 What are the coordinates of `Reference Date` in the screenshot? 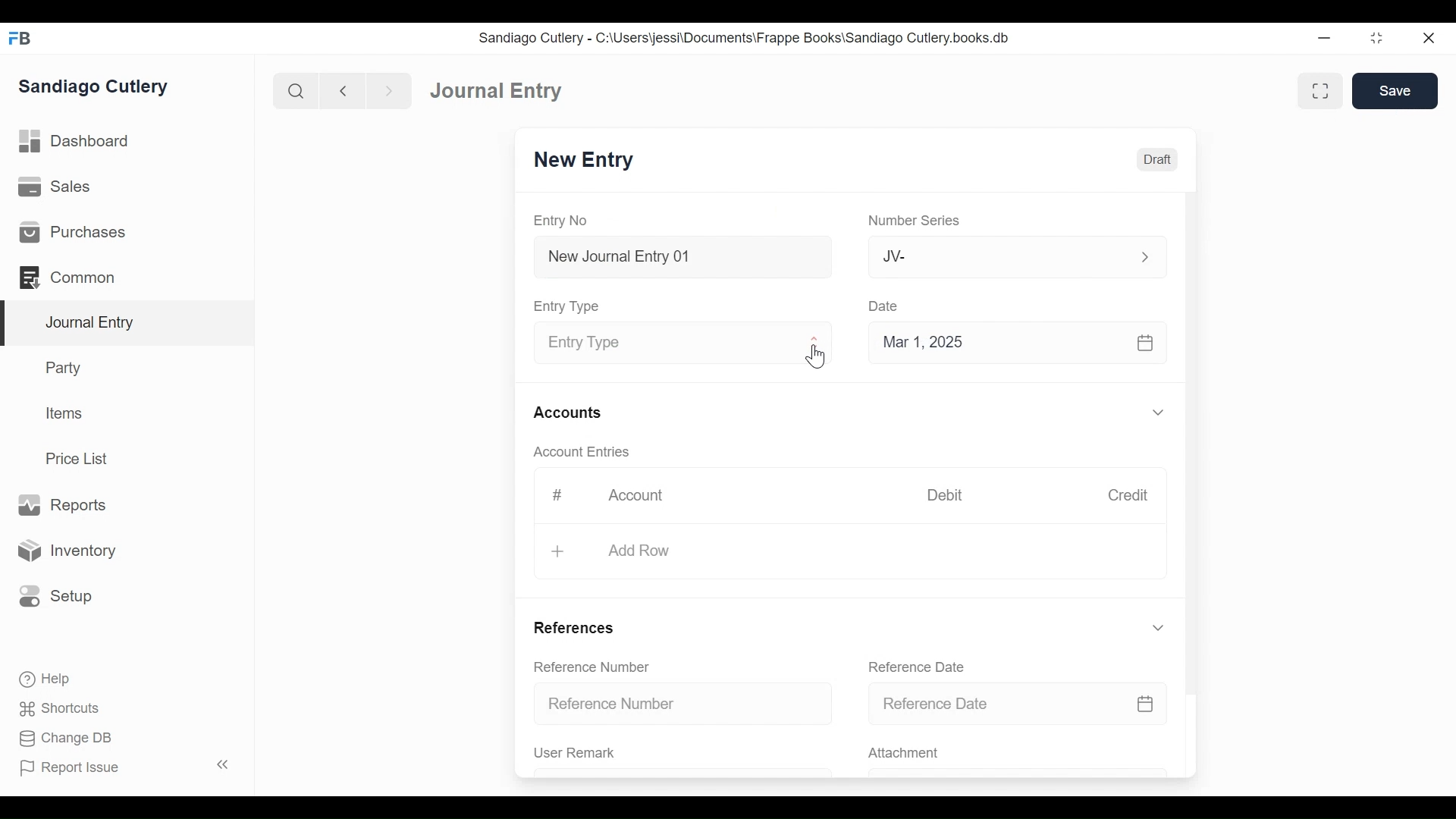 It's located at (1018, 702).